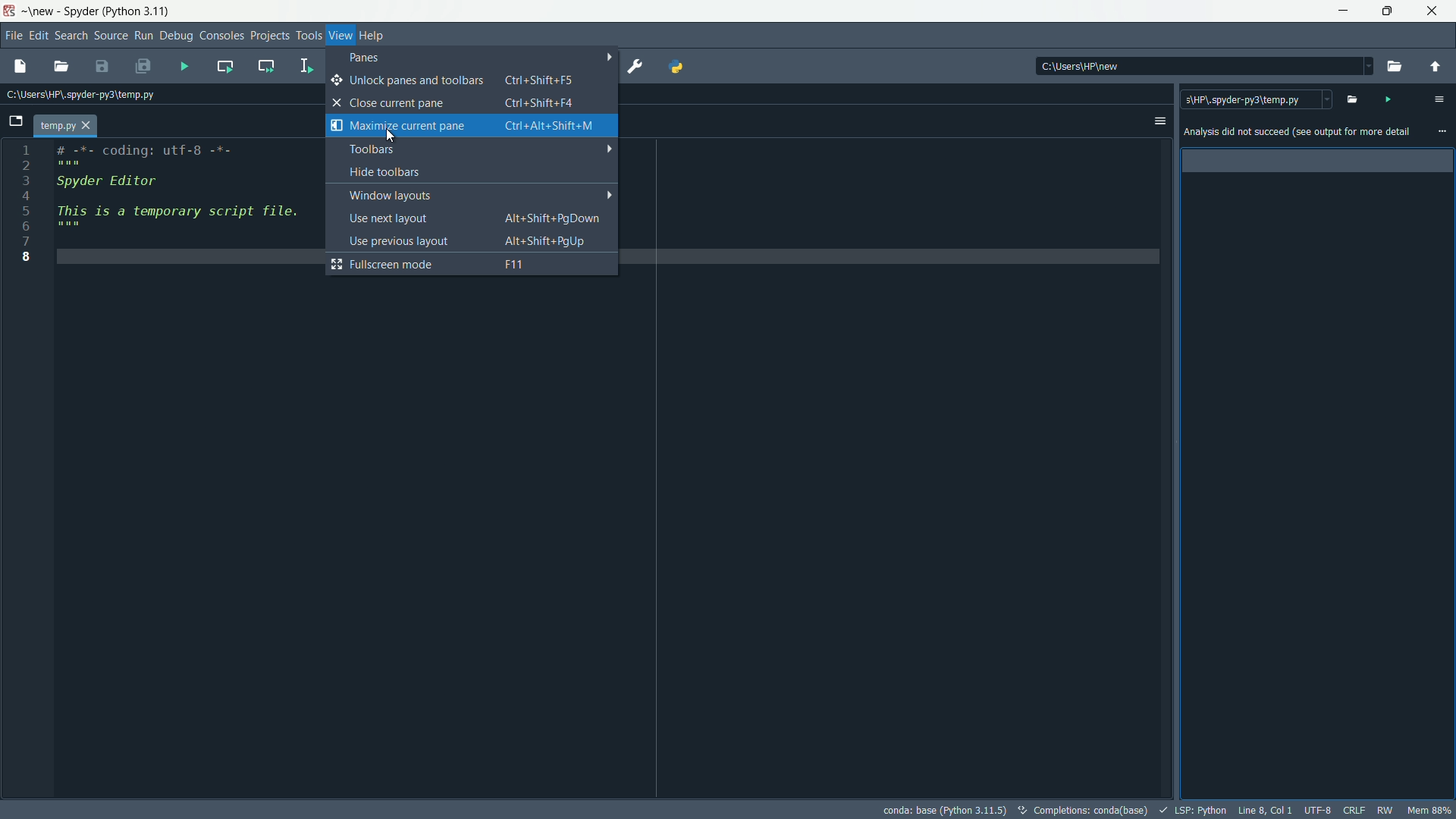  Describe the element at coordinates (472, 58) in the screenshot. I see `panes` at that location.